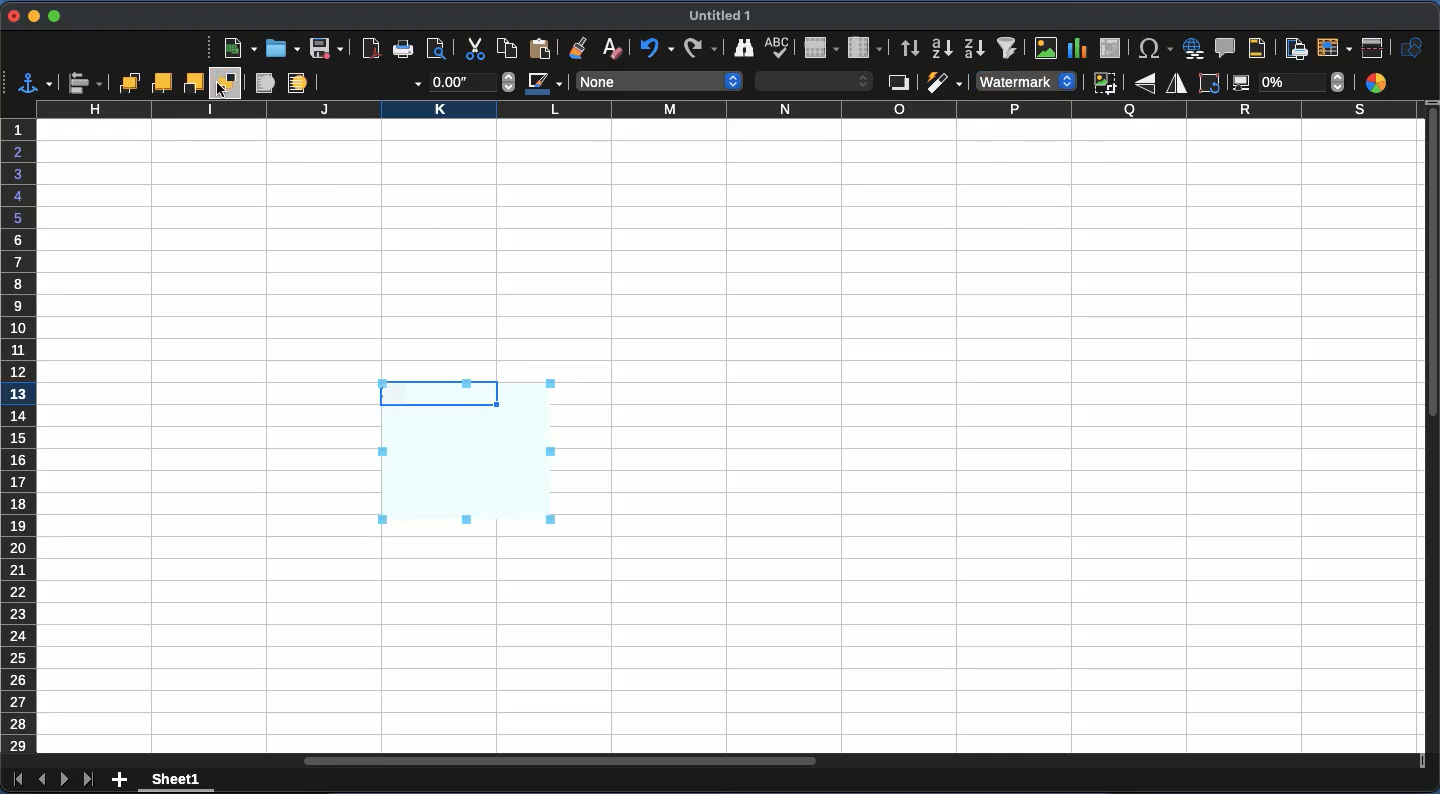 Image resolution: width=1440 pixels, height=794 pixels. I want to click on row, so click(821, 49).